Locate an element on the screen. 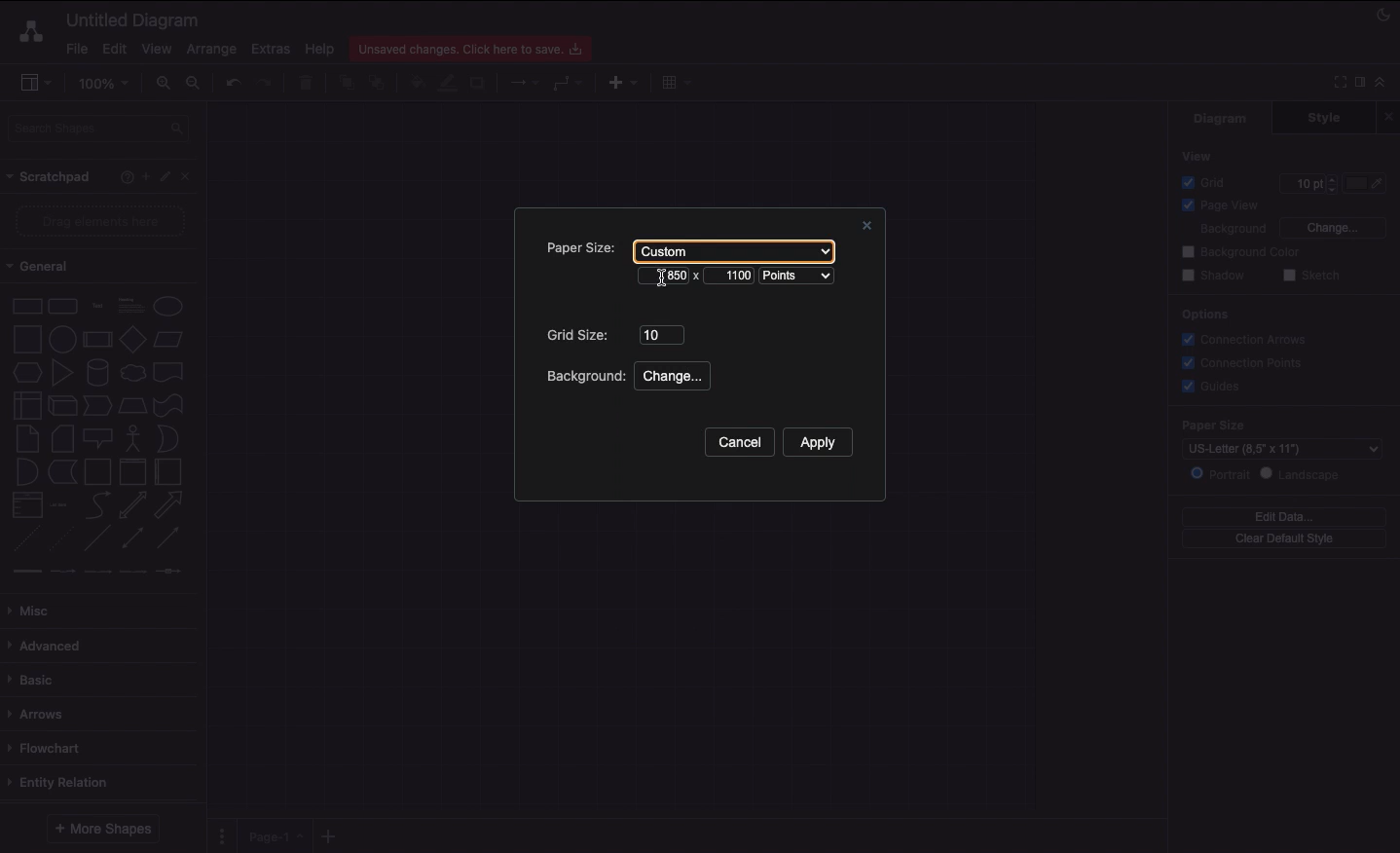 The image size is (1400, 853). And is located at coordinates (28, 473).